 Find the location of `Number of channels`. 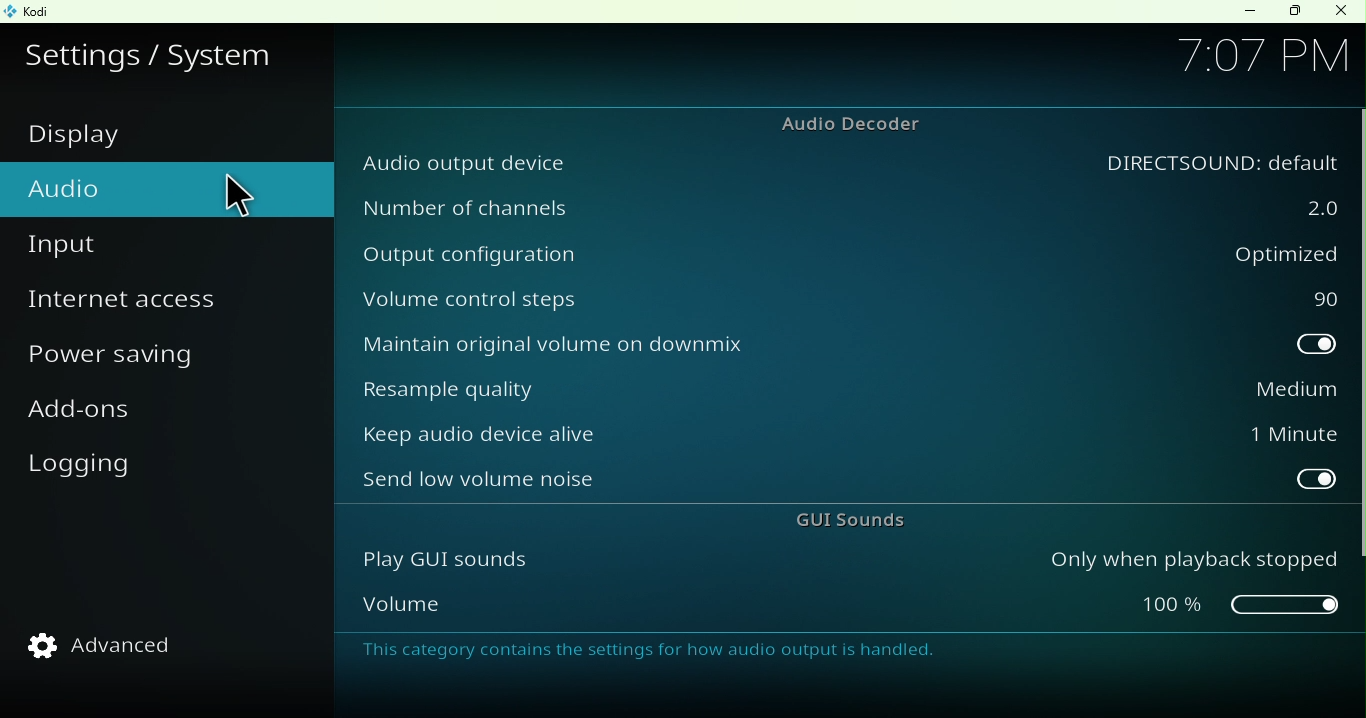

Number of channels is located at coordinates (712, 207).